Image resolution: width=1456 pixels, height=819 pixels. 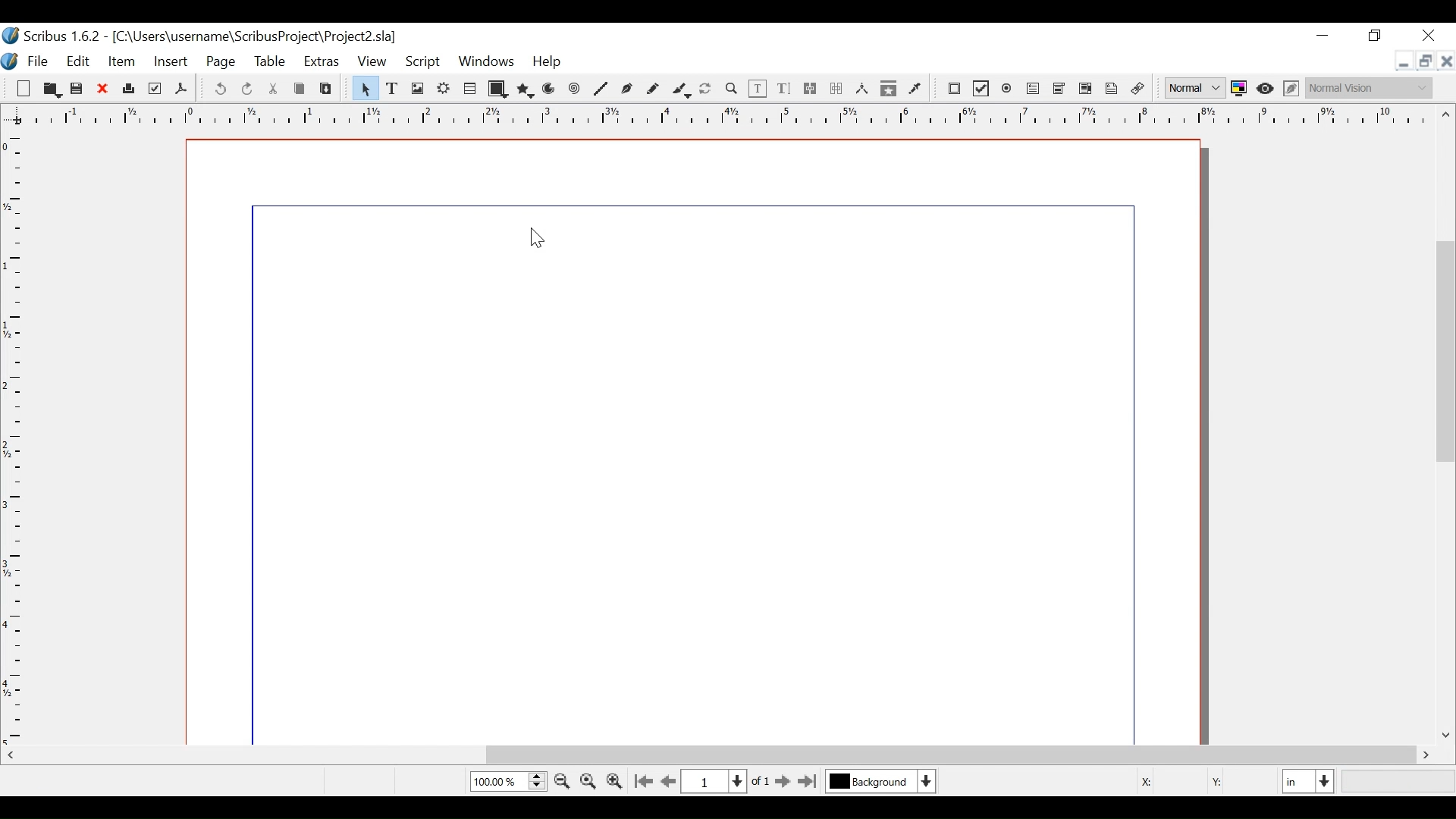 I want to click on Eye dropper, so click(x=915, y=88).